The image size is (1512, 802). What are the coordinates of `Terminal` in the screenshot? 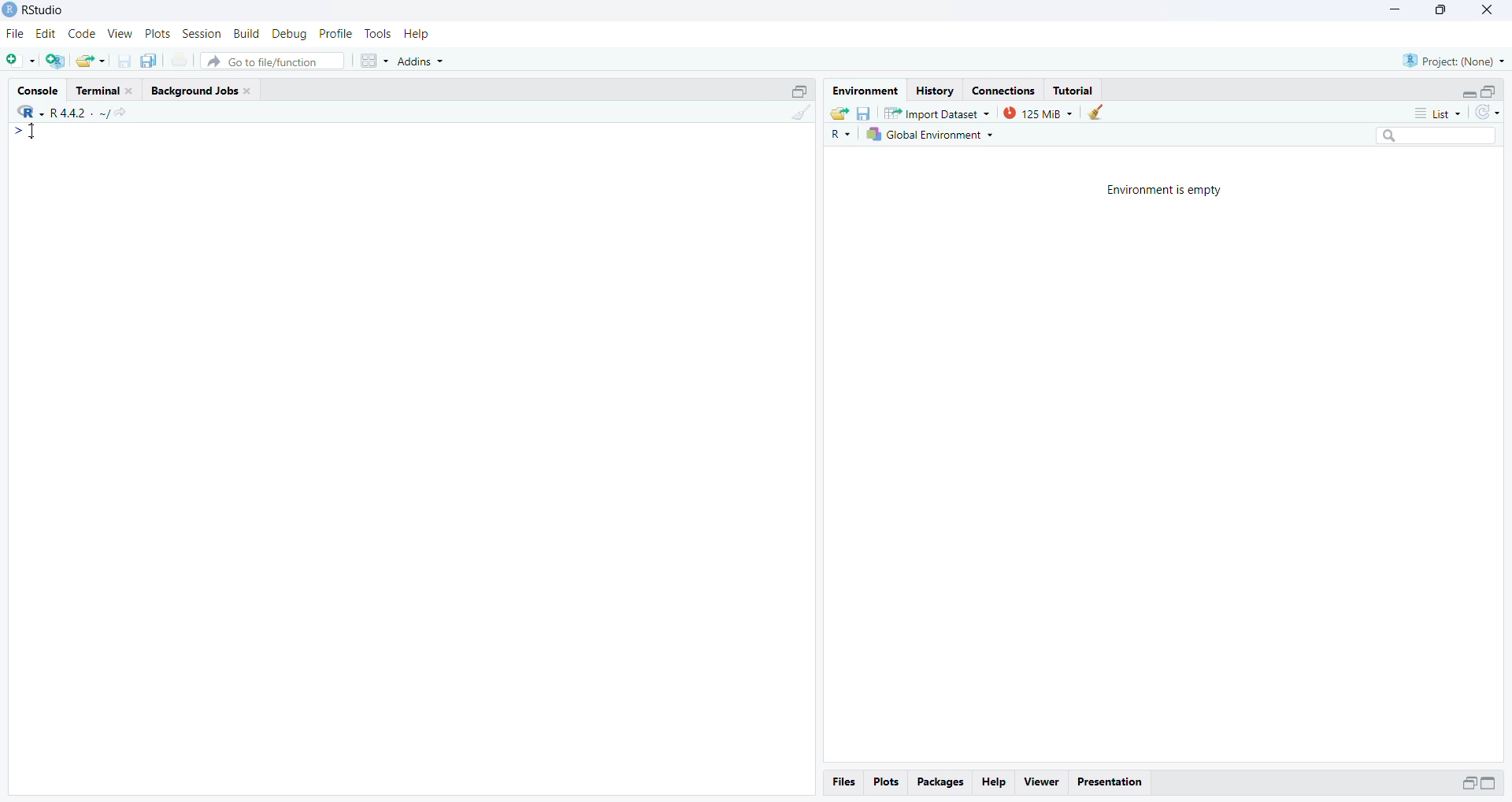 It's located at (106, 88).